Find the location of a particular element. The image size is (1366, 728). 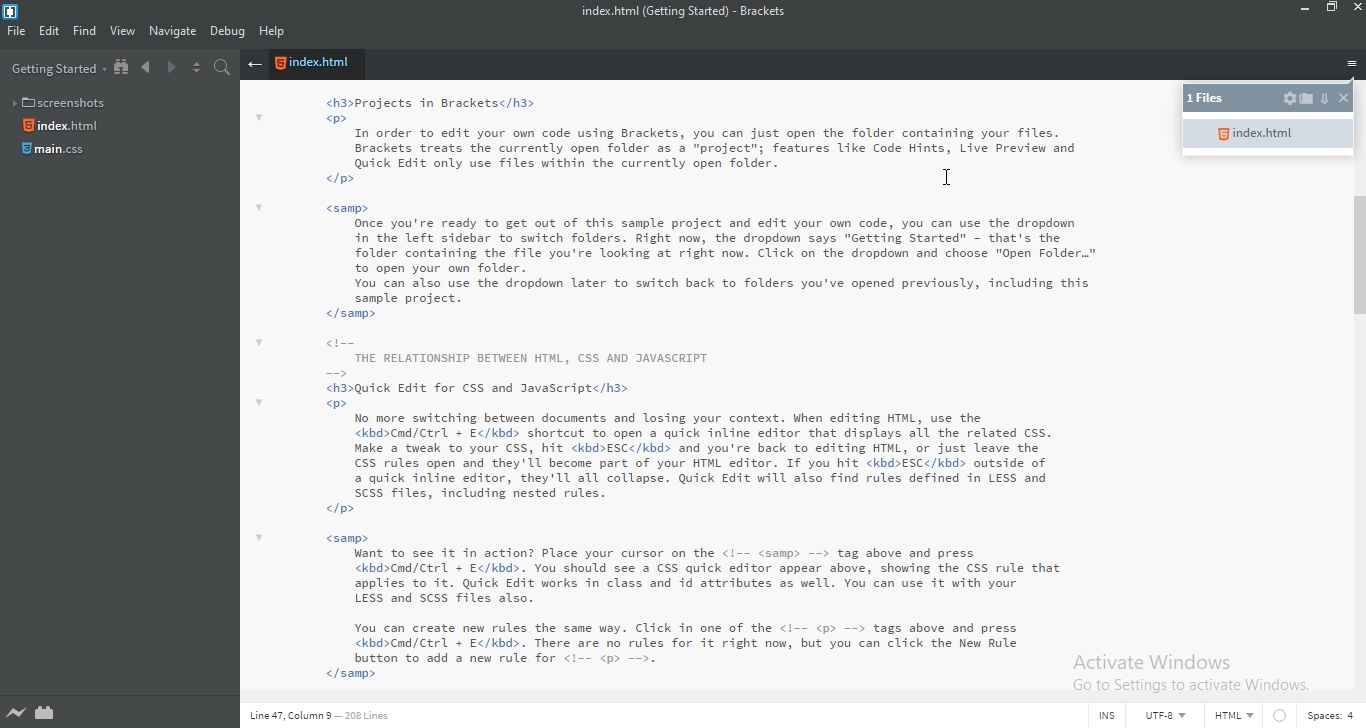

Find is located at coordinates (84, 33).